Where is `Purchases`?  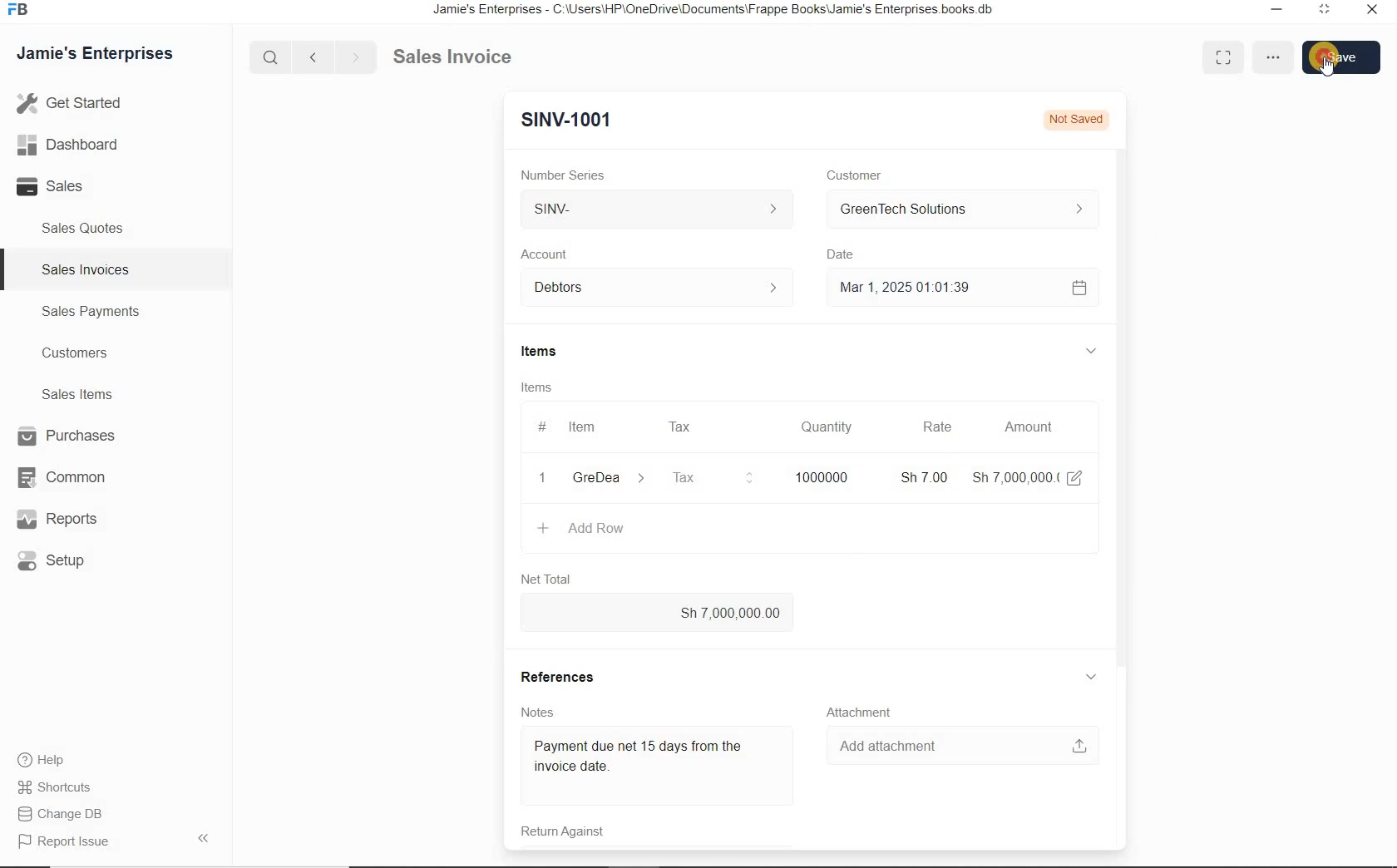
Purchases is located at coordinates (62, 436).